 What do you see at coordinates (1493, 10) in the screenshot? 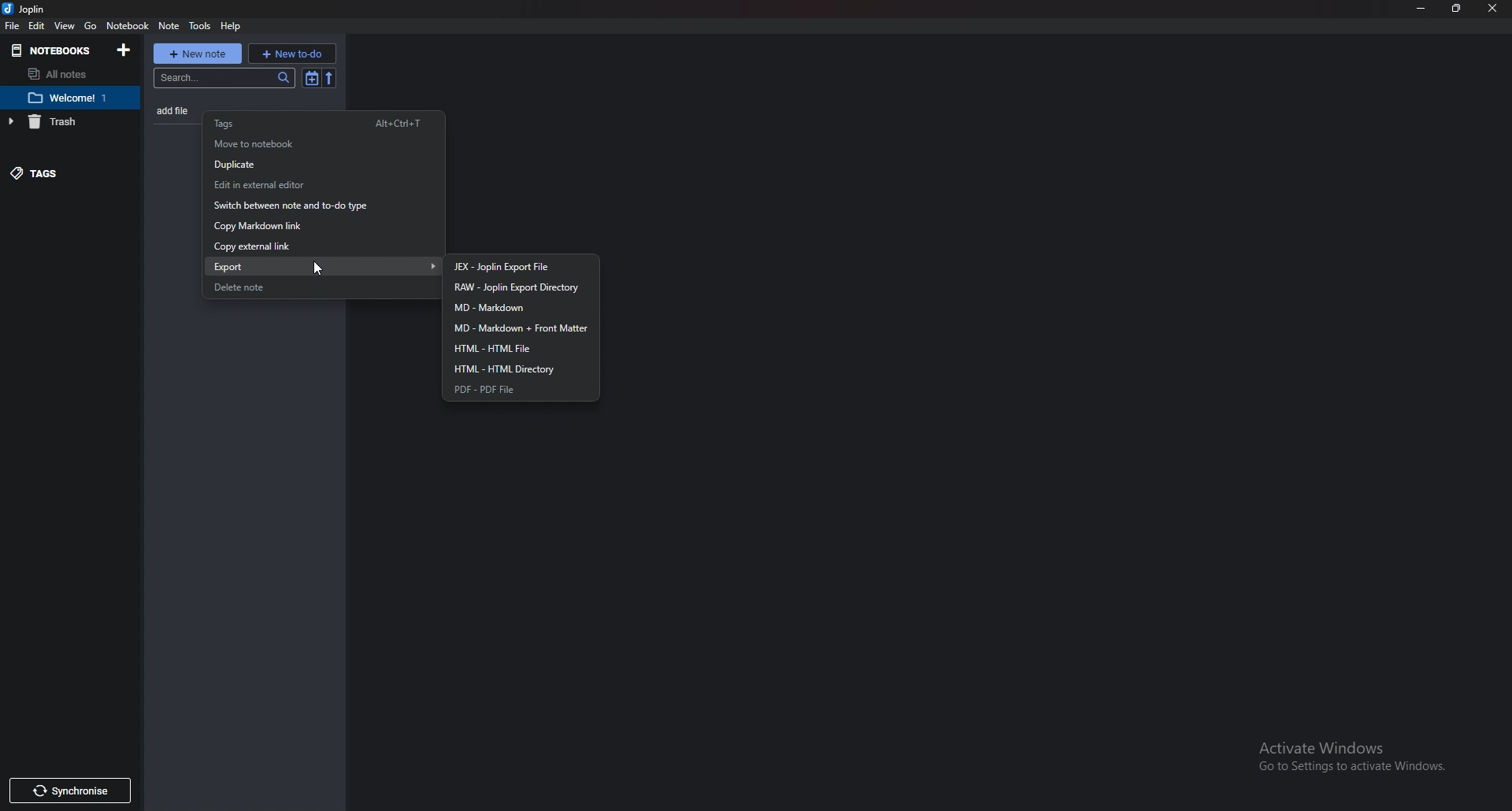
I see `close` at bounding box center [1493, 10].